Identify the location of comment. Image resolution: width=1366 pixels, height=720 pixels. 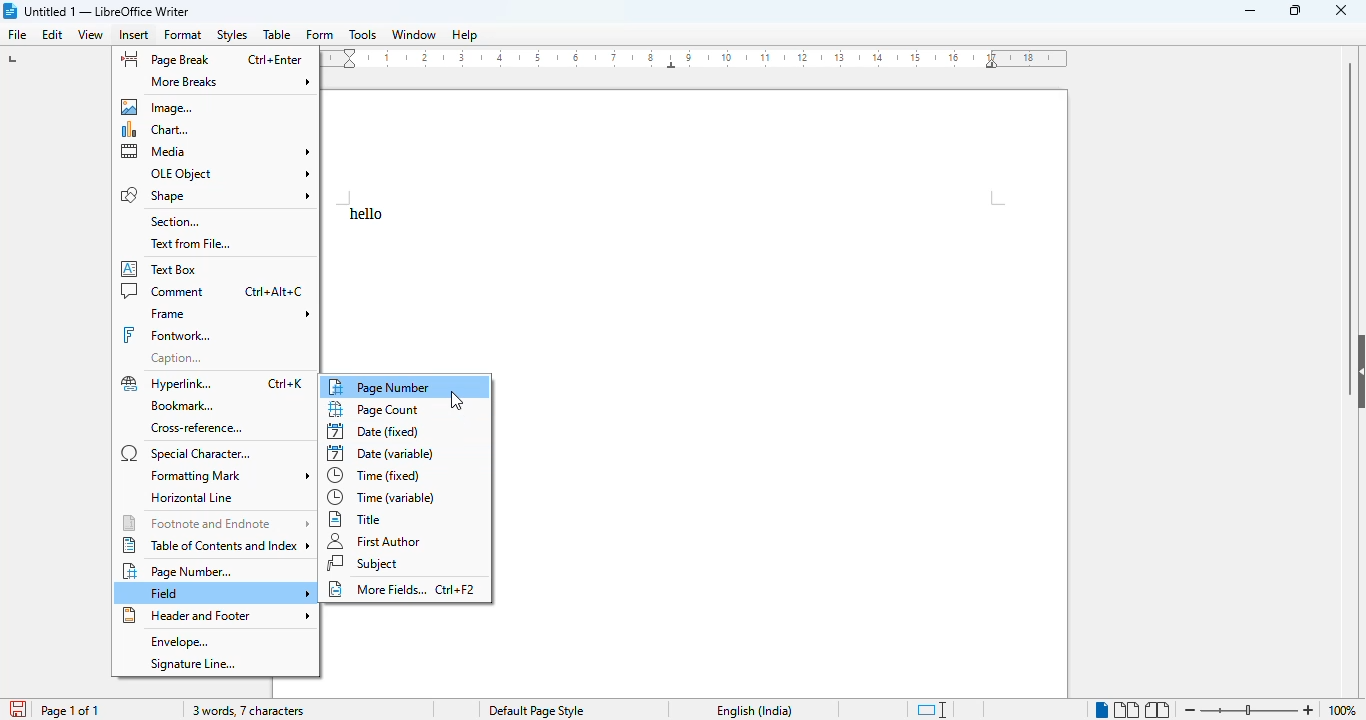
(164, 291).